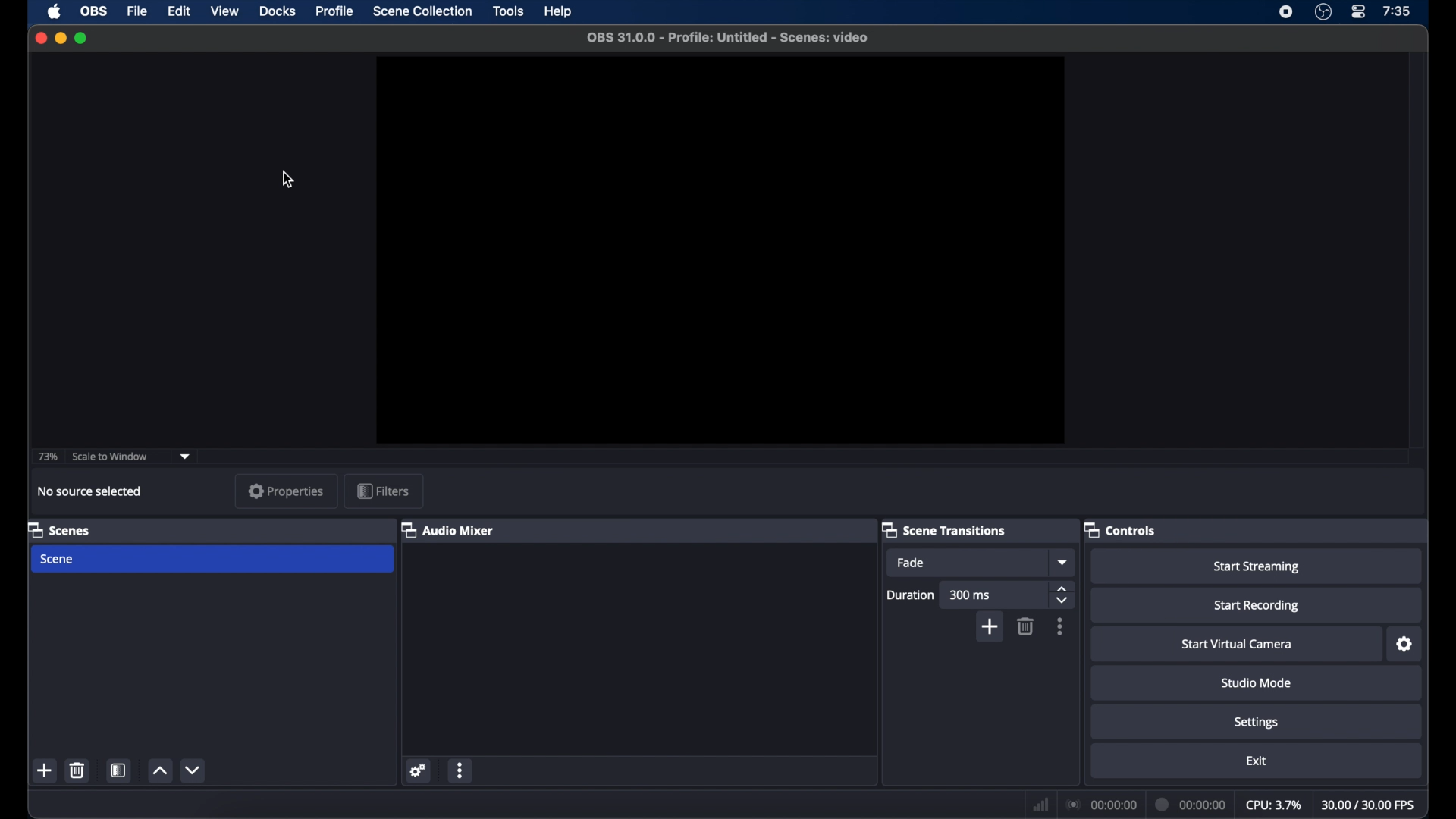 The width and height of the screenshot is (1456, 819). Describe the element at coordinates (1040, 805) in the screenshot. I see `network` at that location.